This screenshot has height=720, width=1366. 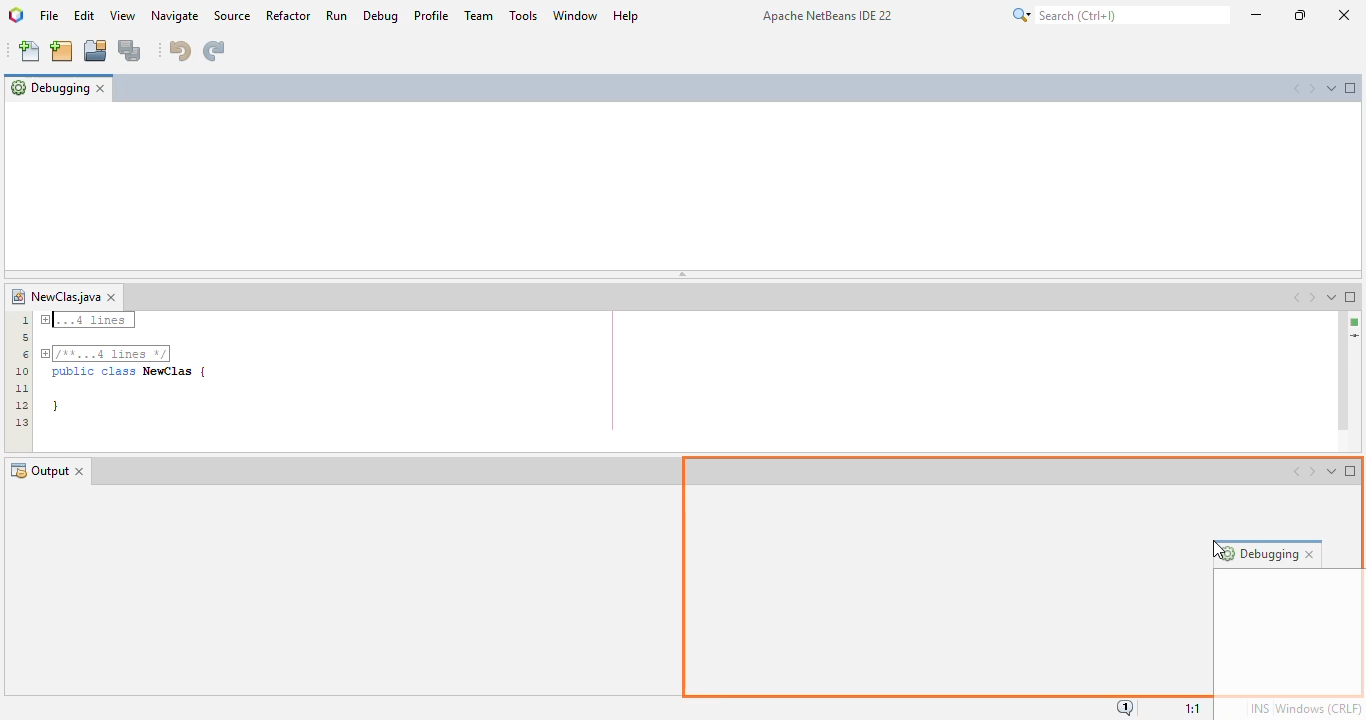 I want to click on insert mode, so click(x=1259, y=708).